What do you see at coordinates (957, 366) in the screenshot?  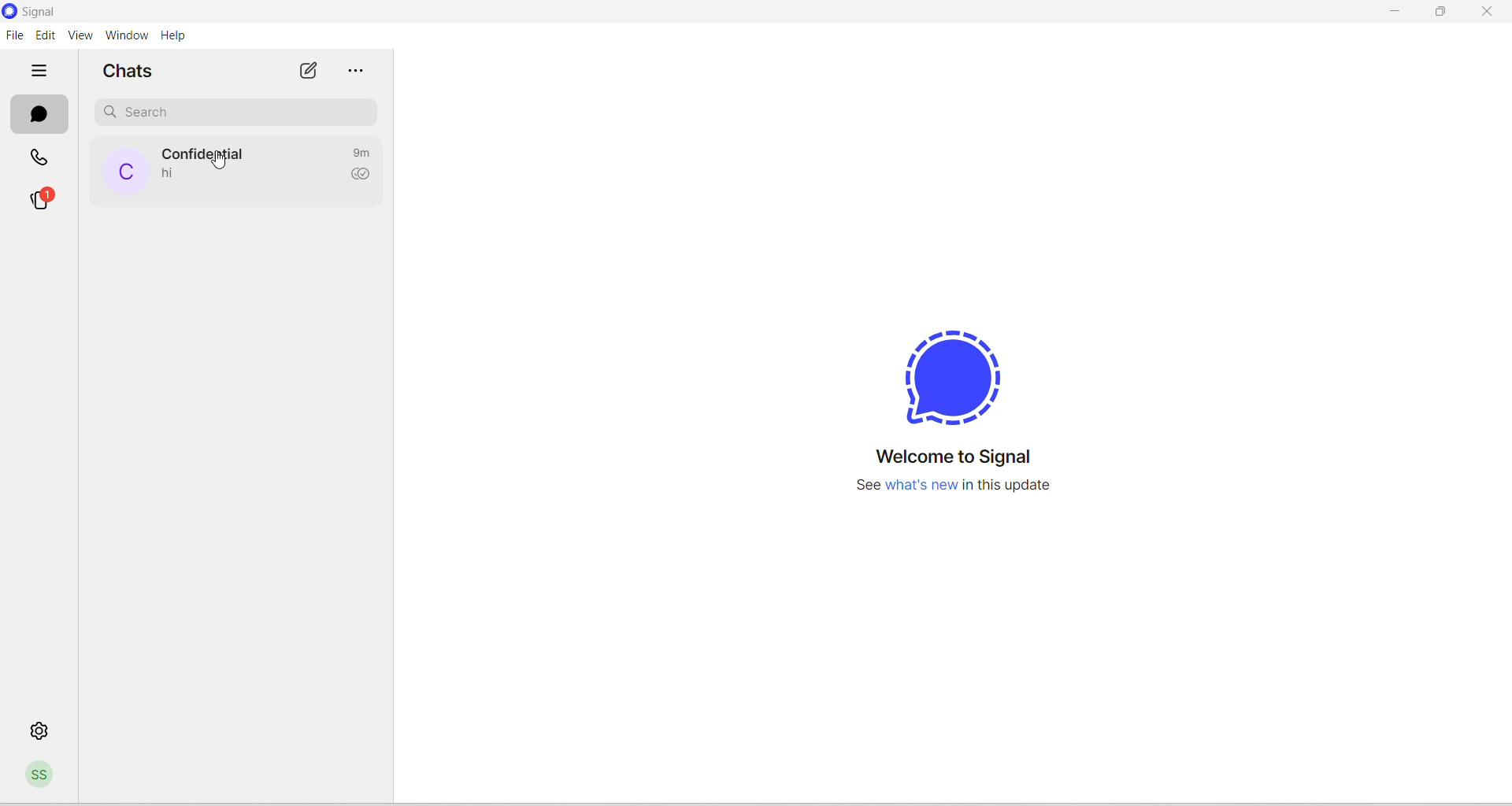 I see `signal logo` at bounding box center [957, 366].